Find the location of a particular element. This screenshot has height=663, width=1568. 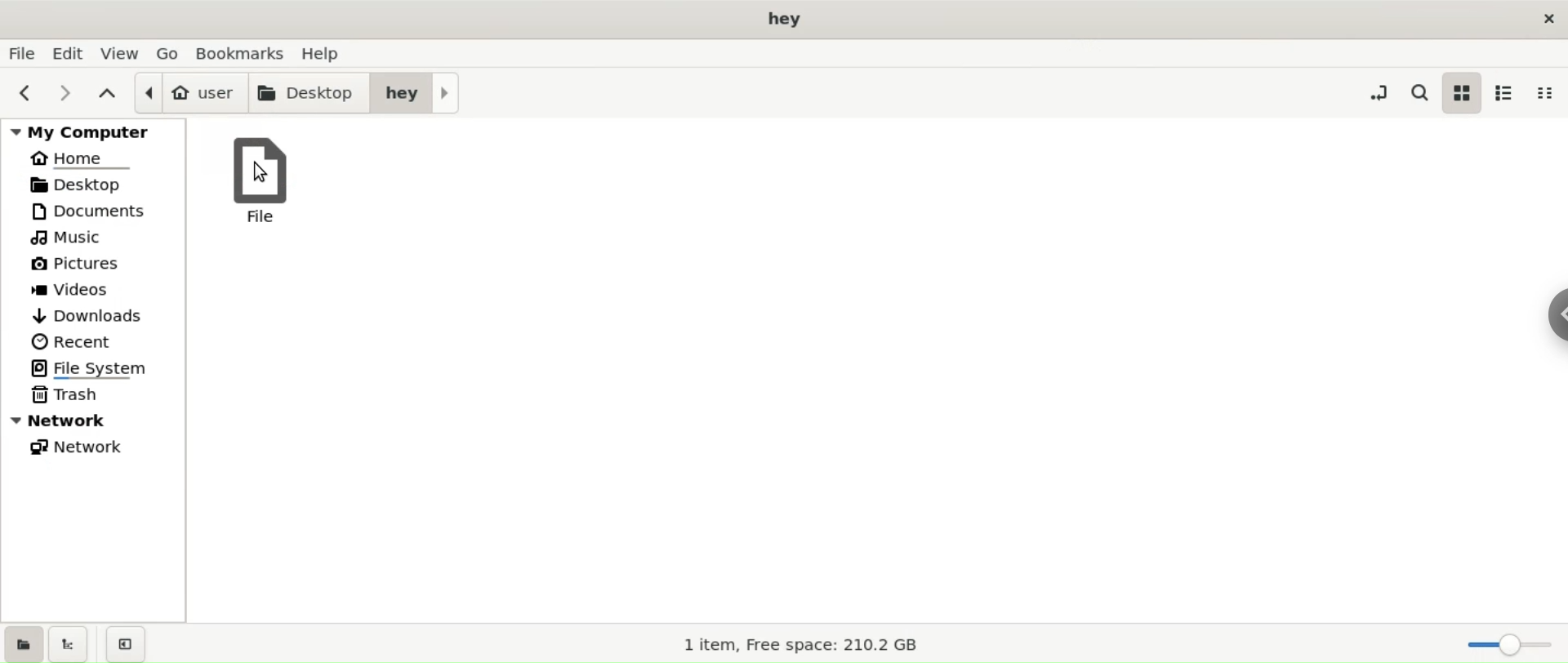

compact view is located at coordinates (1545, 96).